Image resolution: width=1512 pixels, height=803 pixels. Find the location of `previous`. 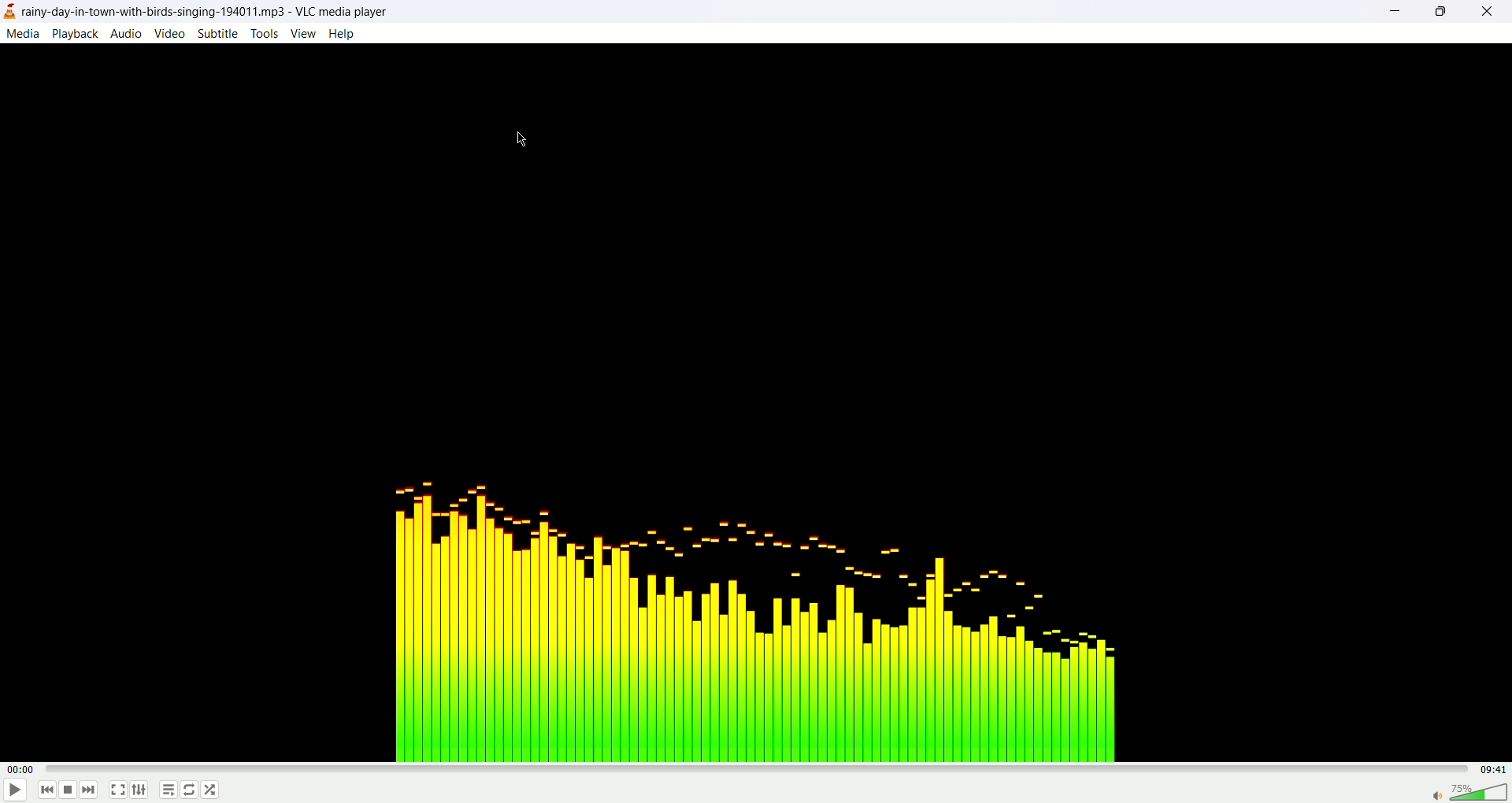

previous is located at coordinates (46, 790).